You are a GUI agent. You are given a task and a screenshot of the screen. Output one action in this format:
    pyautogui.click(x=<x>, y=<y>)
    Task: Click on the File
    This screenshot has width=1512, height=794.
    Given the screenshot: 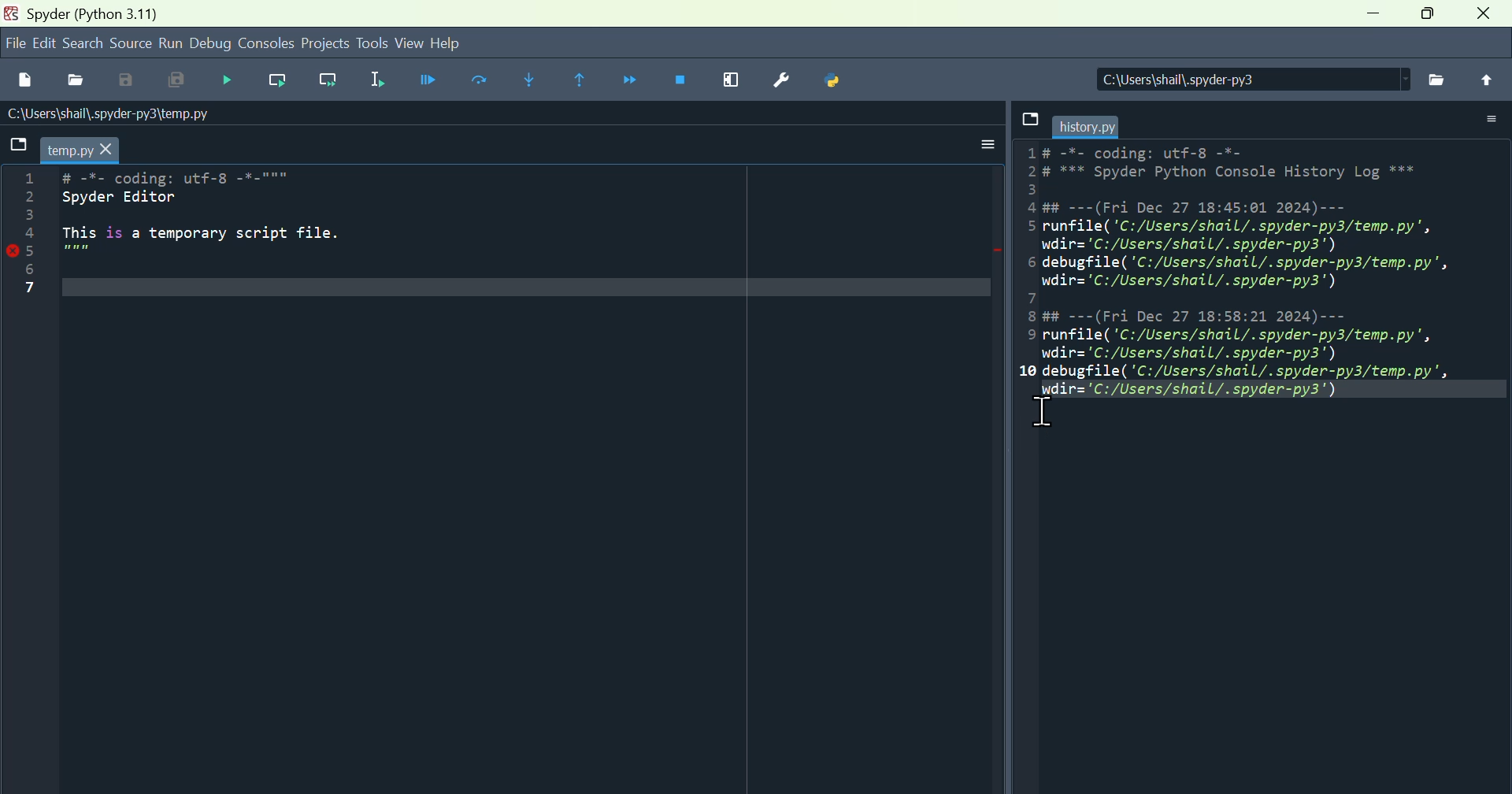 What is the action you would take?
    pyautogui.click(x=28, y=83)
    